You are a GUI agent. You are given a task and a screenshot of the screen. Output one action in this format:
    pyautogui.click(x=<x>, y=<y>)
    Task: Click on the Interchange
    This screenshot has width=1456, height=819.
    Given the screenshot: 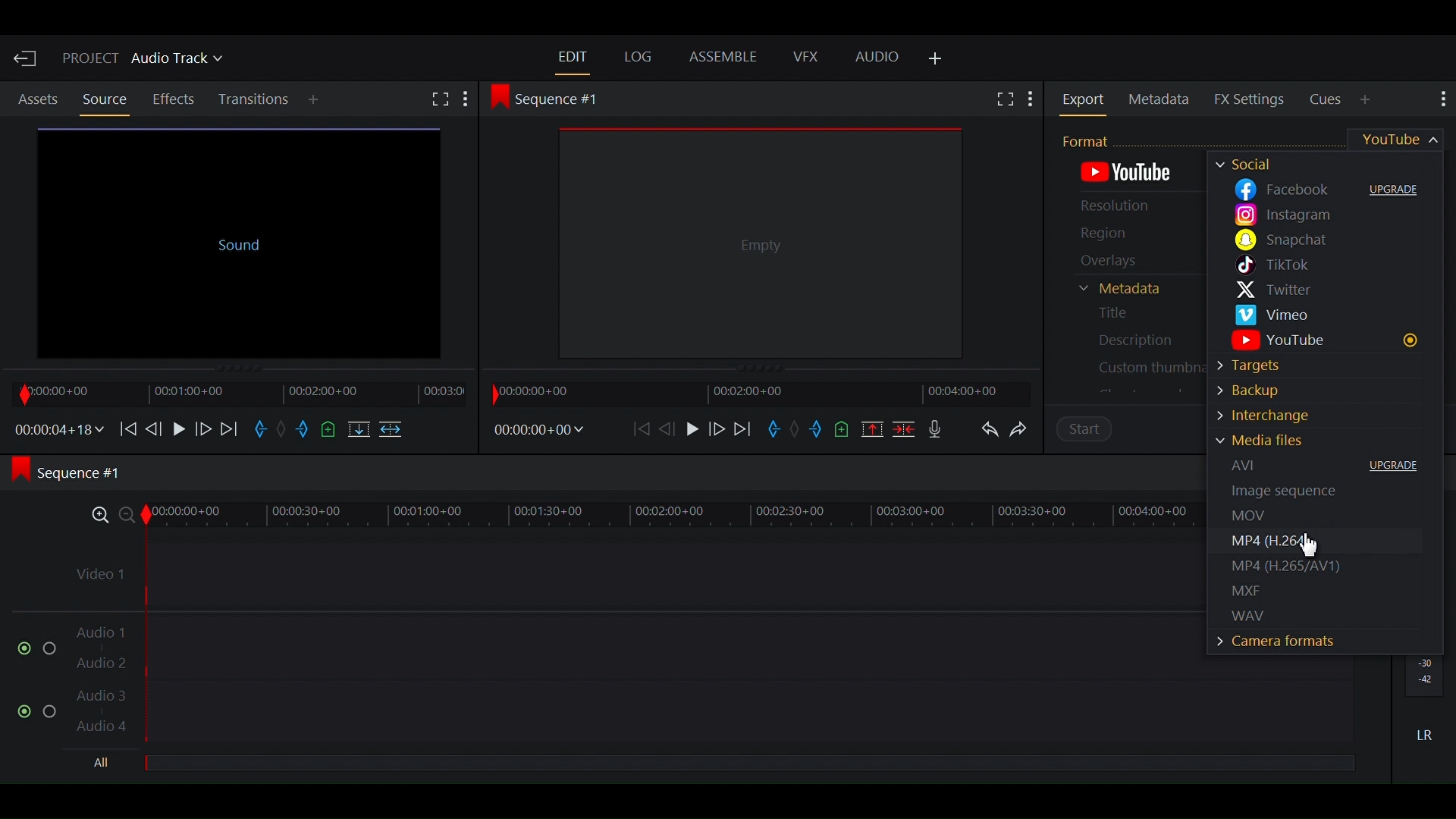 What is the action you would take?
    pyautogui.click(x=1322, y=417)
    